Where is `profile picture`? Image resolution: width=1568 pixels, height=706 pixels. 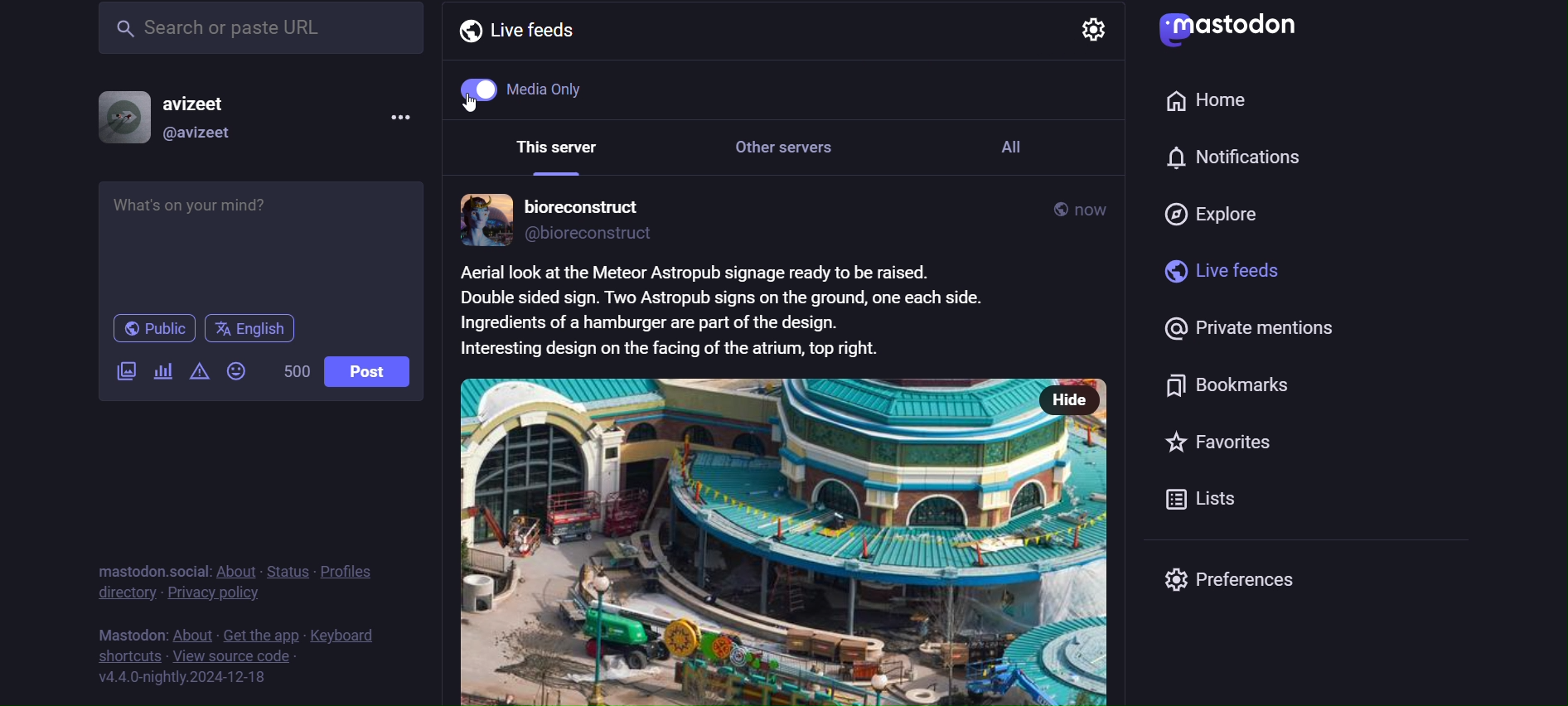 profile picture is located at coordinates (487, 220).